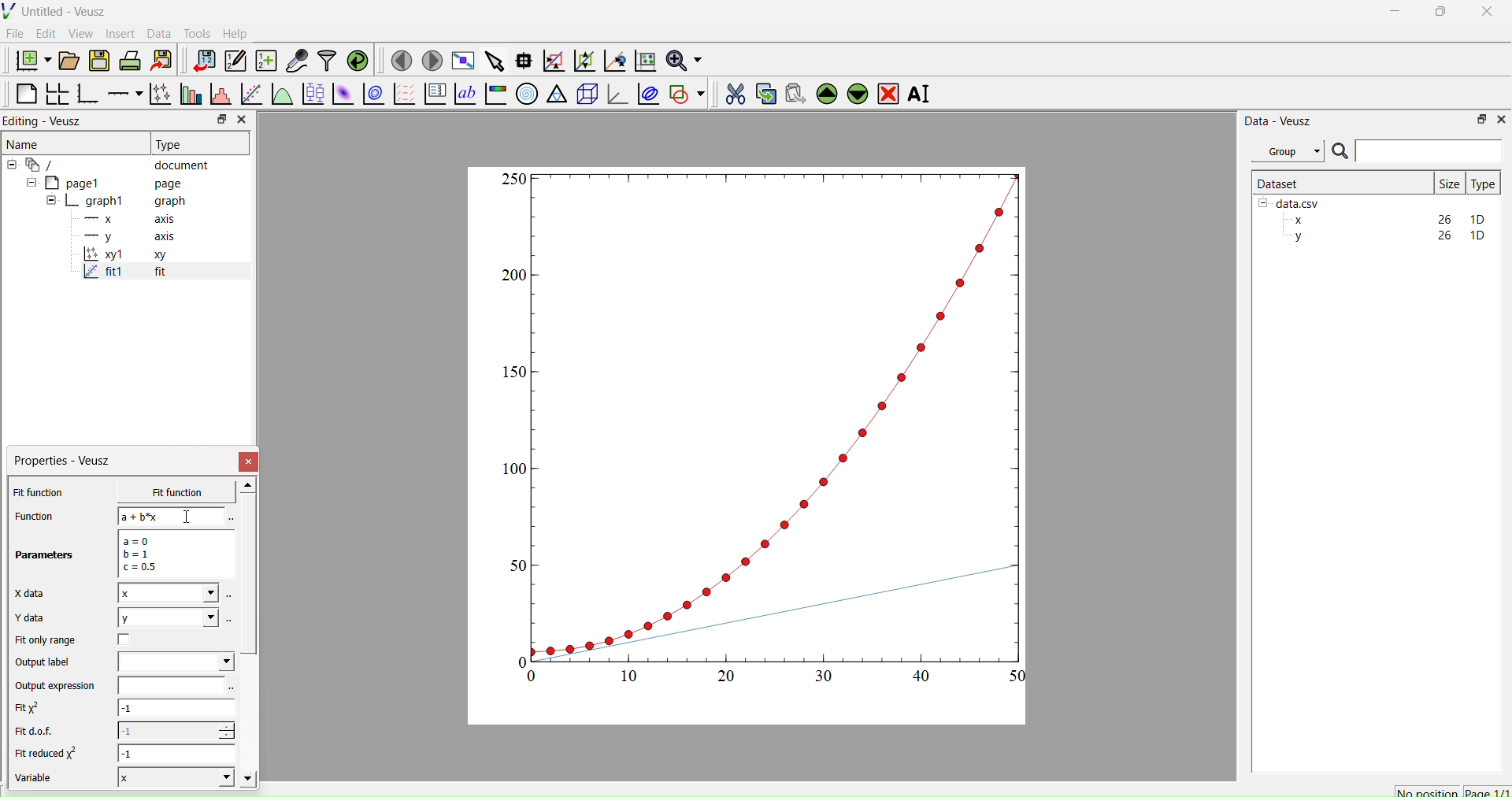  I want to click on Untitled - Veusz, so click(57, 11).